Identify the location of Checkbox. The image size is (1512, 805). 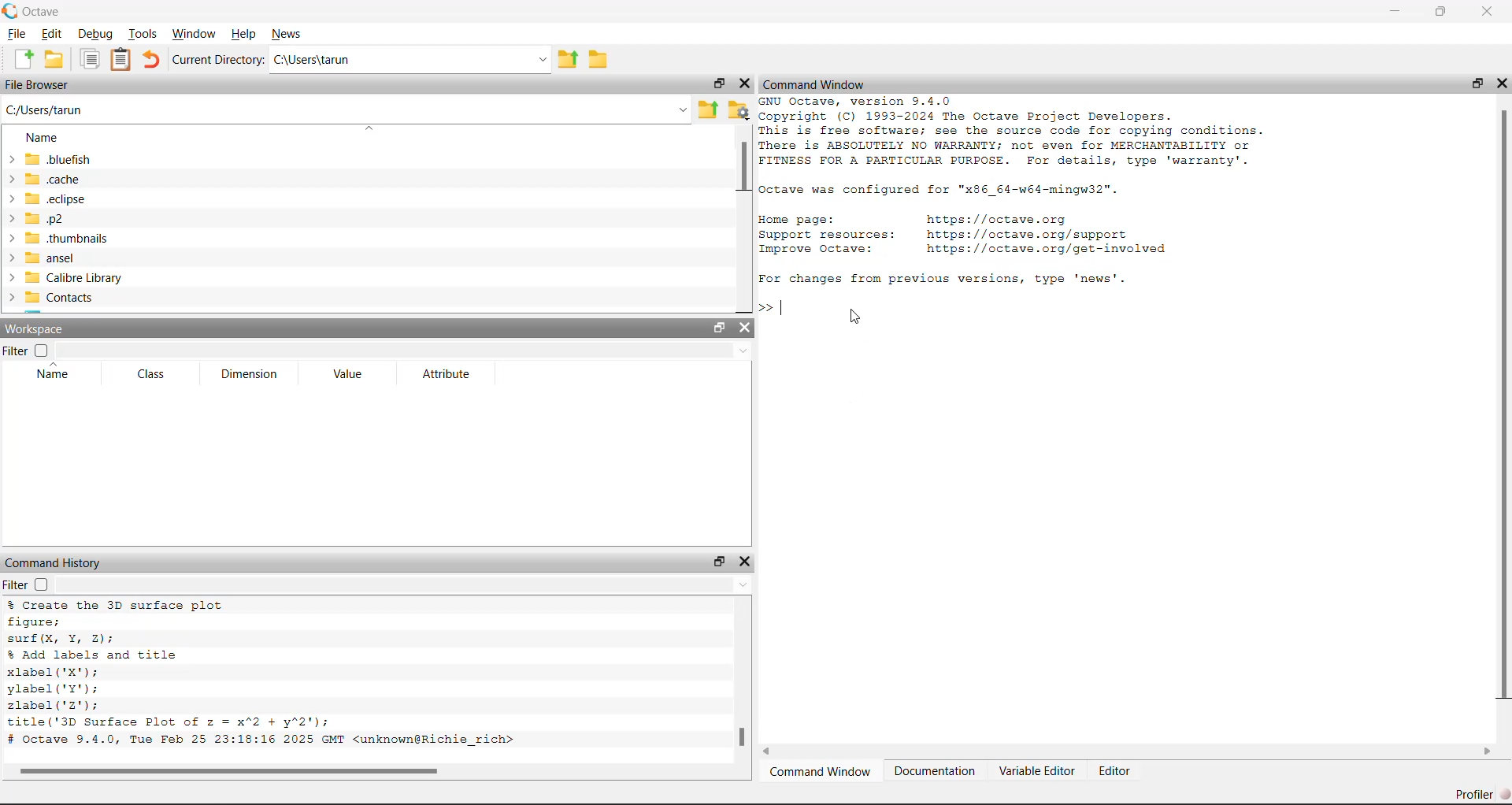
(42, 584).